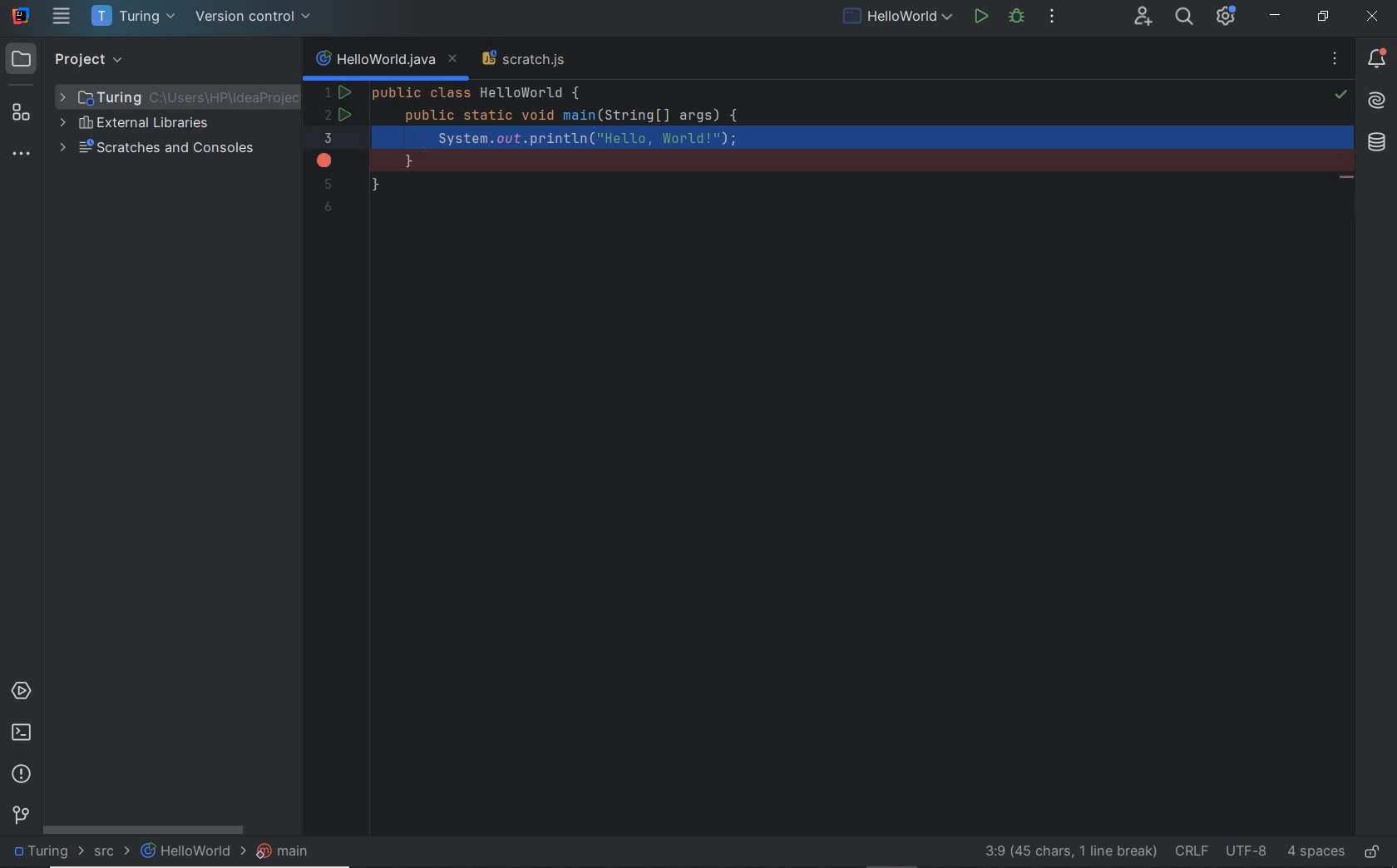 Image resolution: width=1397 pixels, height=868 pixels. I want to click on external libraries, so click(142, 125).